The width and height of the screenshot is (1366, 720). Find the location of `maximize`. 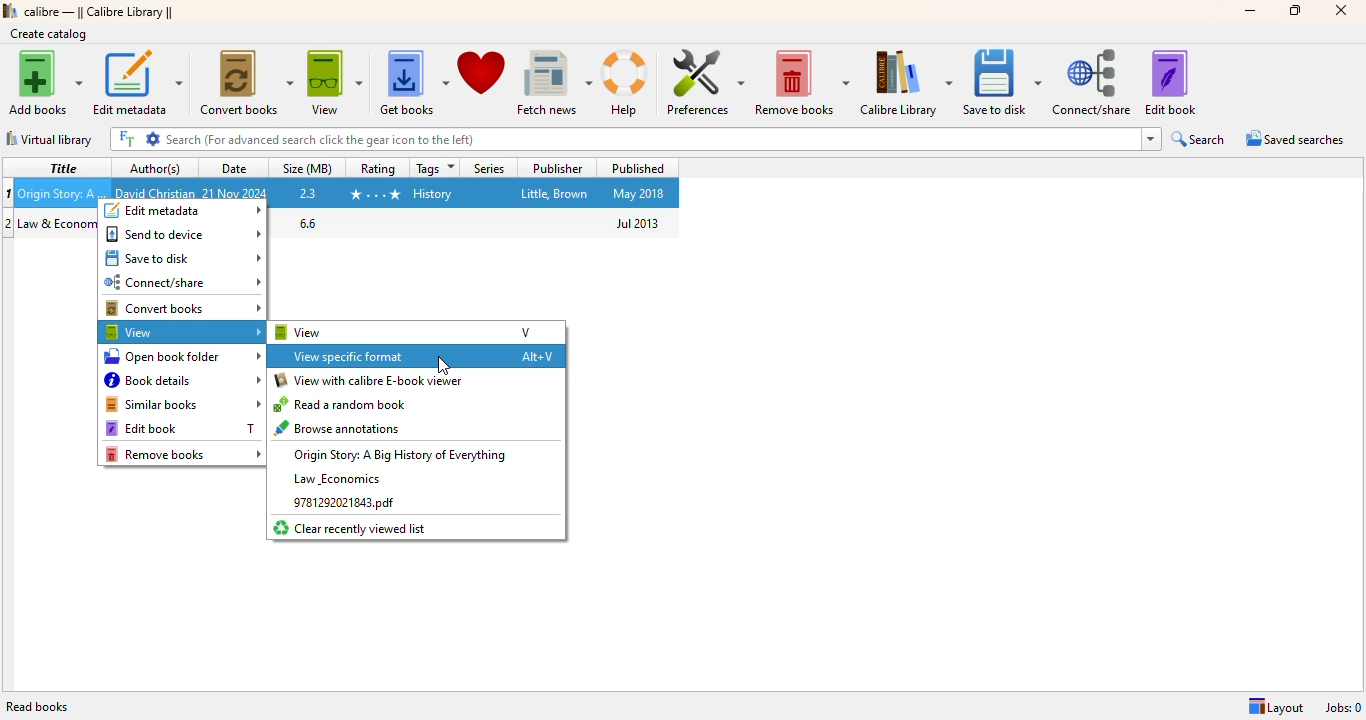

maximize is located at coordinates (1295, 11).